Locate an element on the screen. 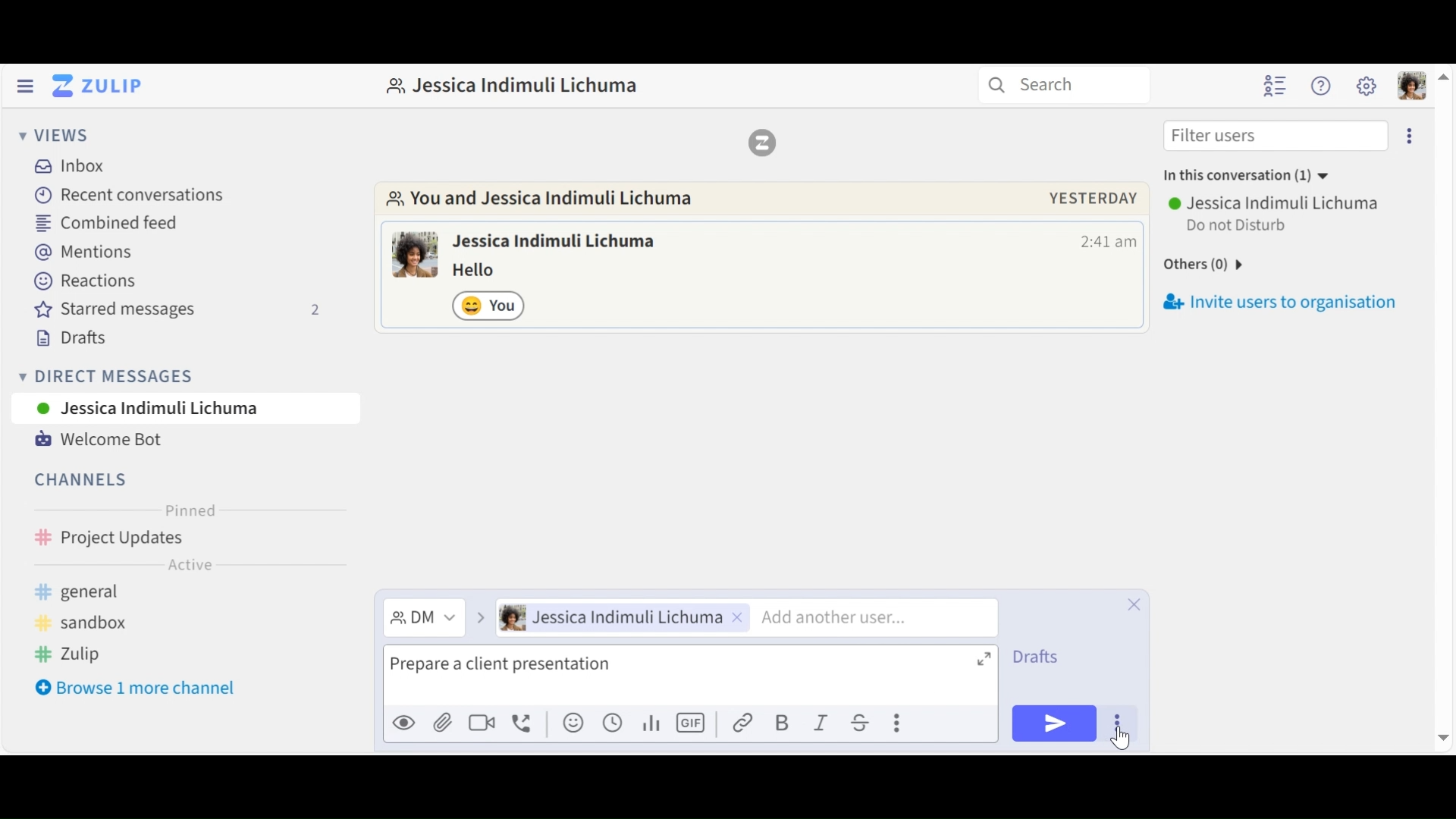 The width and height of the screenshot is (1456, 819). preview is located at coordinates (404, 723).